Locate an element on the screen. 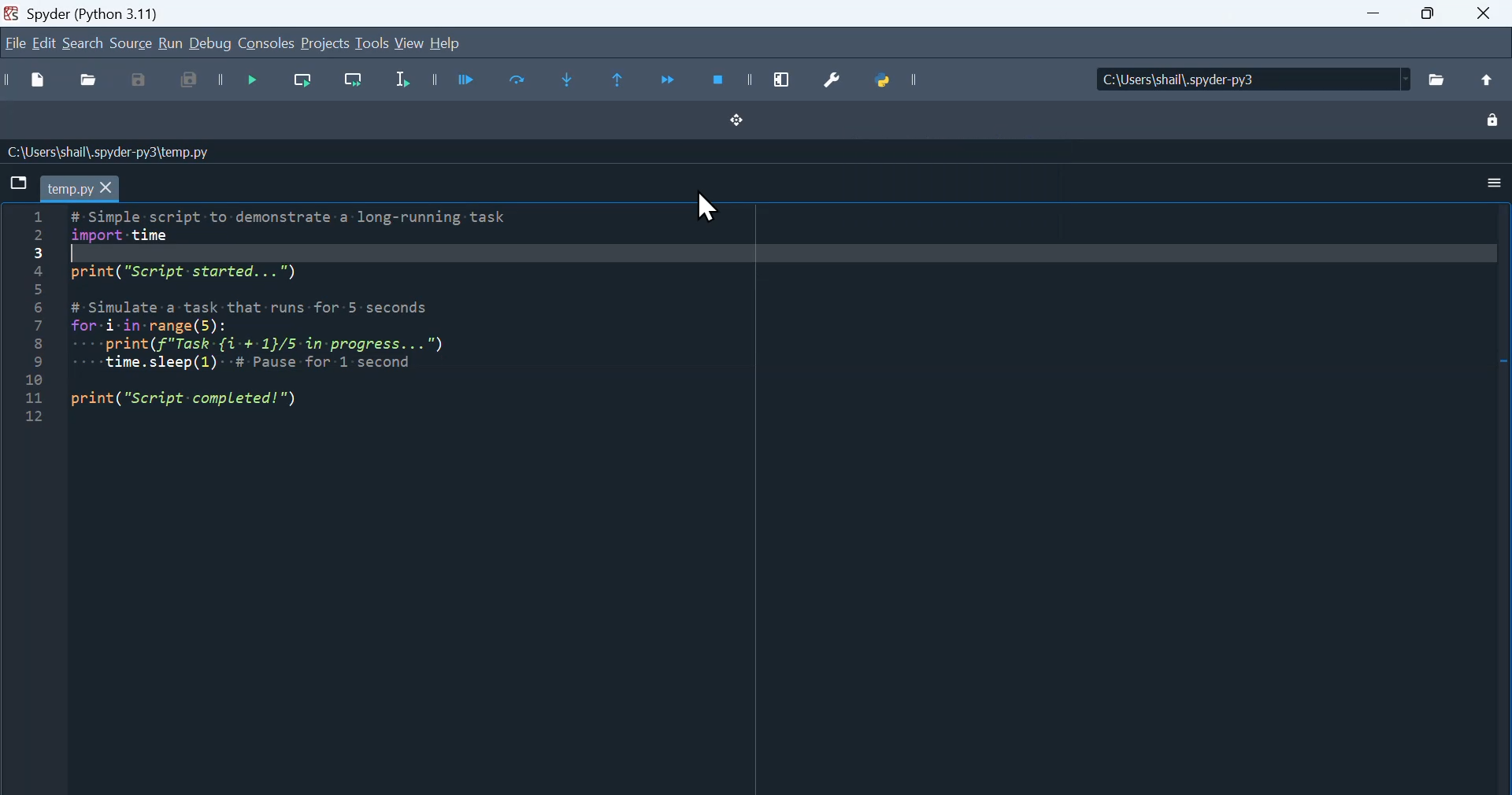 Image resolution: width=1512 pixels, height=795 pixels. Python code is located at coordinates (280, 316).